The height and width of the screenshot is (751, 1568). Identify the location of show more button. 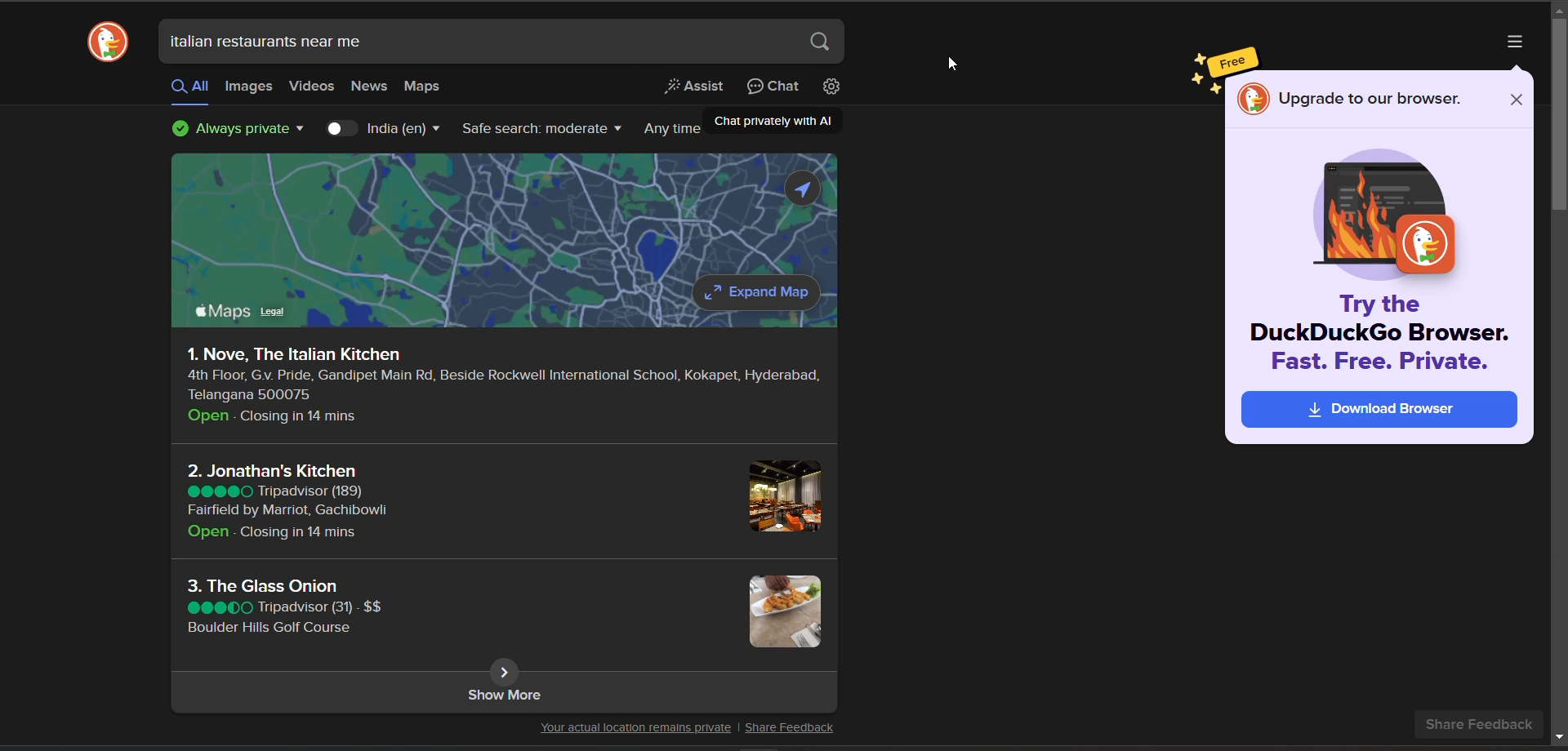
(505, 672).